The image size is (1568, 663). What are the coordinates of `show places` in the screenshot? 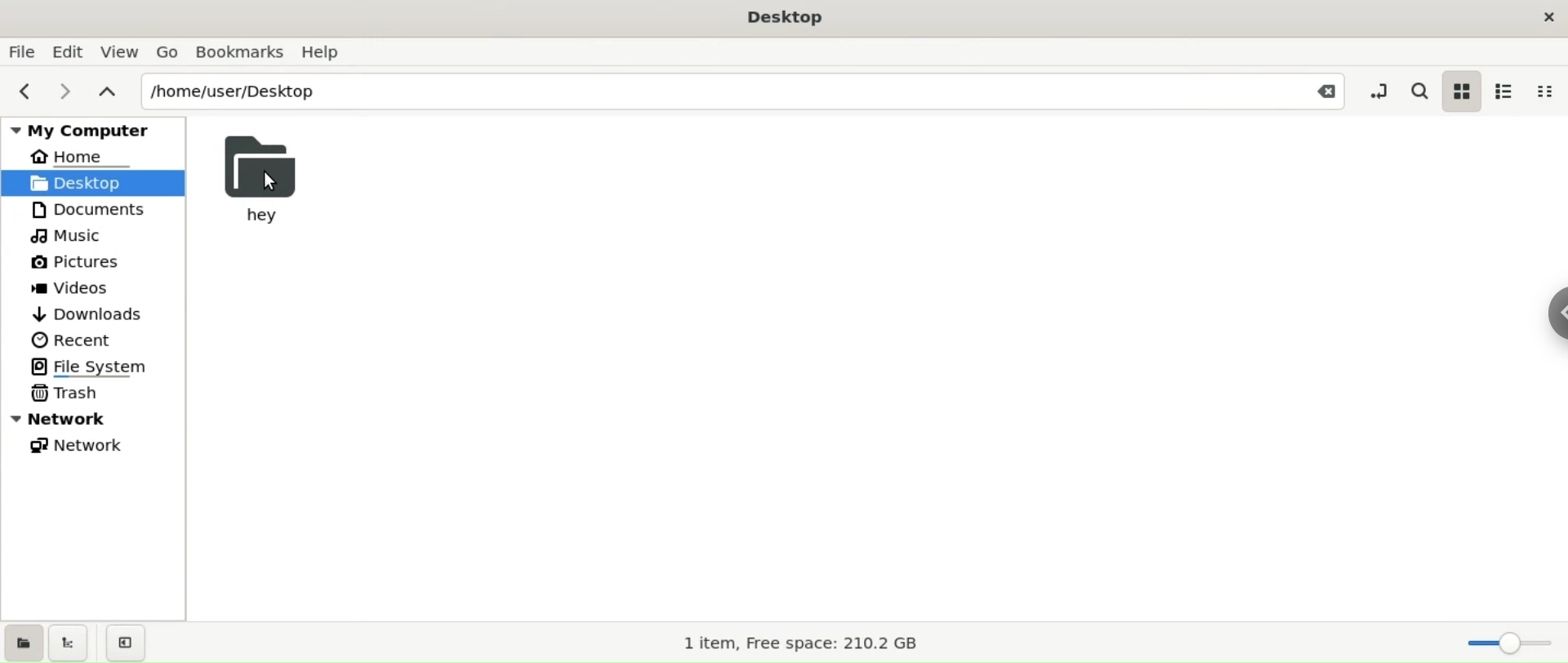 It's located at (23, 642).